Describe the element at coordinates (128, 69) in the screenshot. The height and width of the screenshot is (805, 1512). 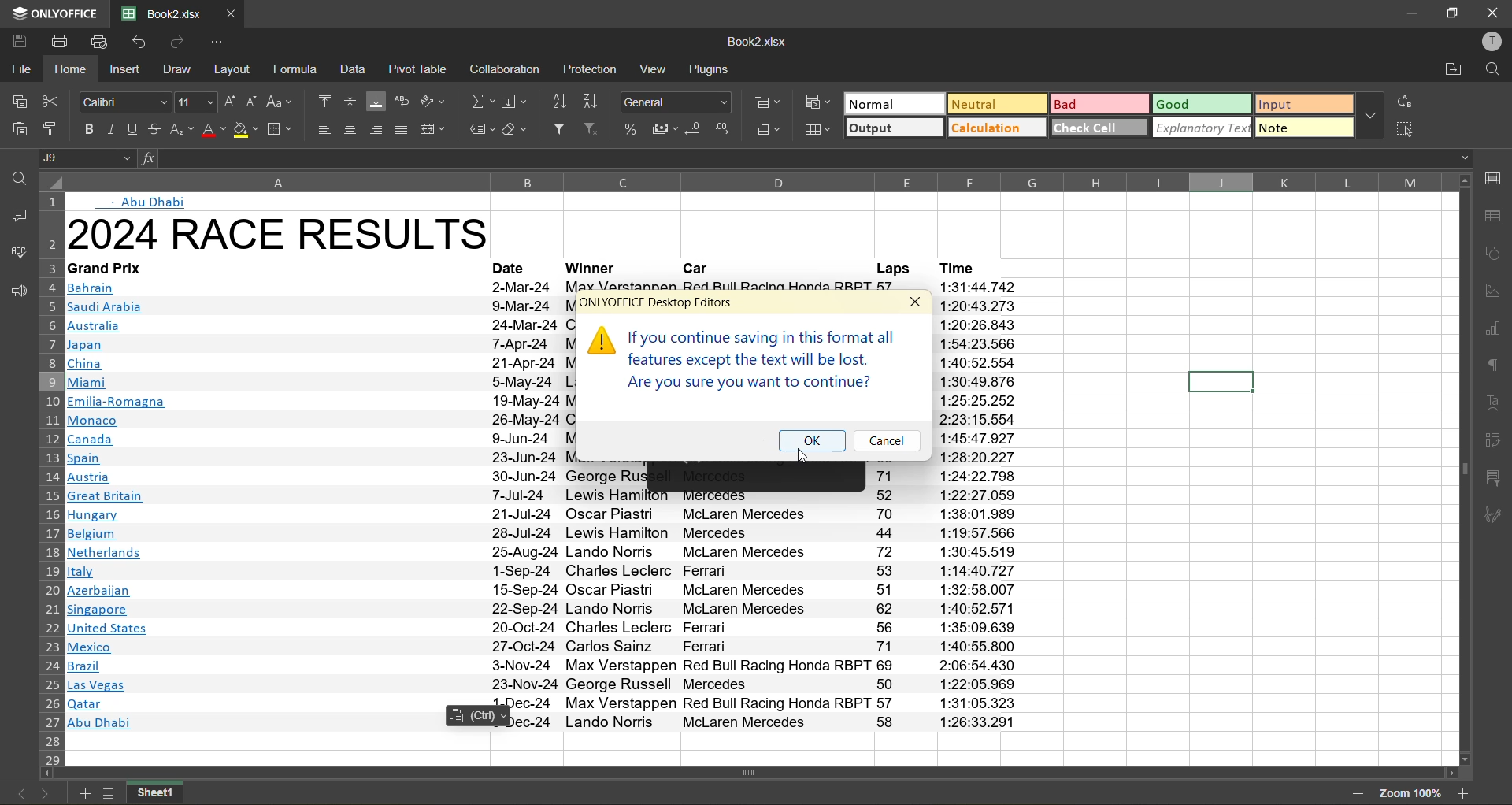
I see `insert` at that location.